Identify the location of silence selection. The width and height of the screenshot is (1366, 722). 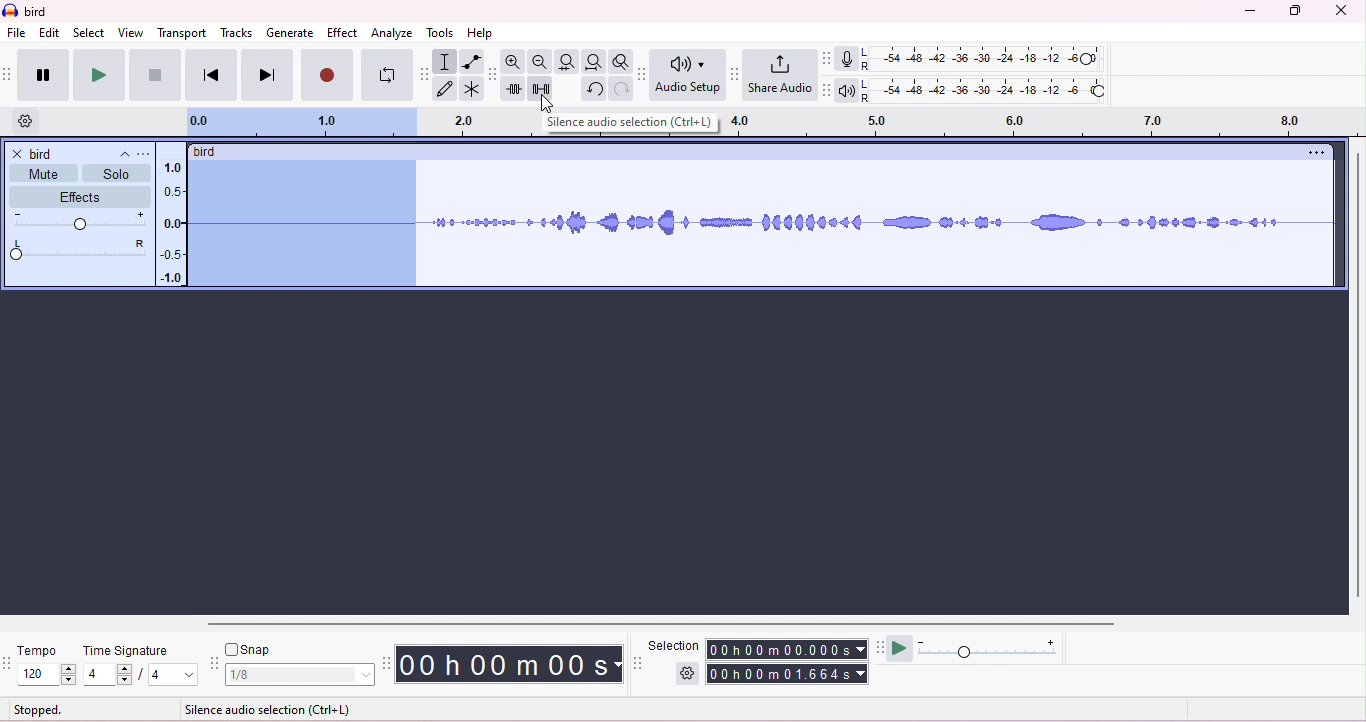
(544, 89).